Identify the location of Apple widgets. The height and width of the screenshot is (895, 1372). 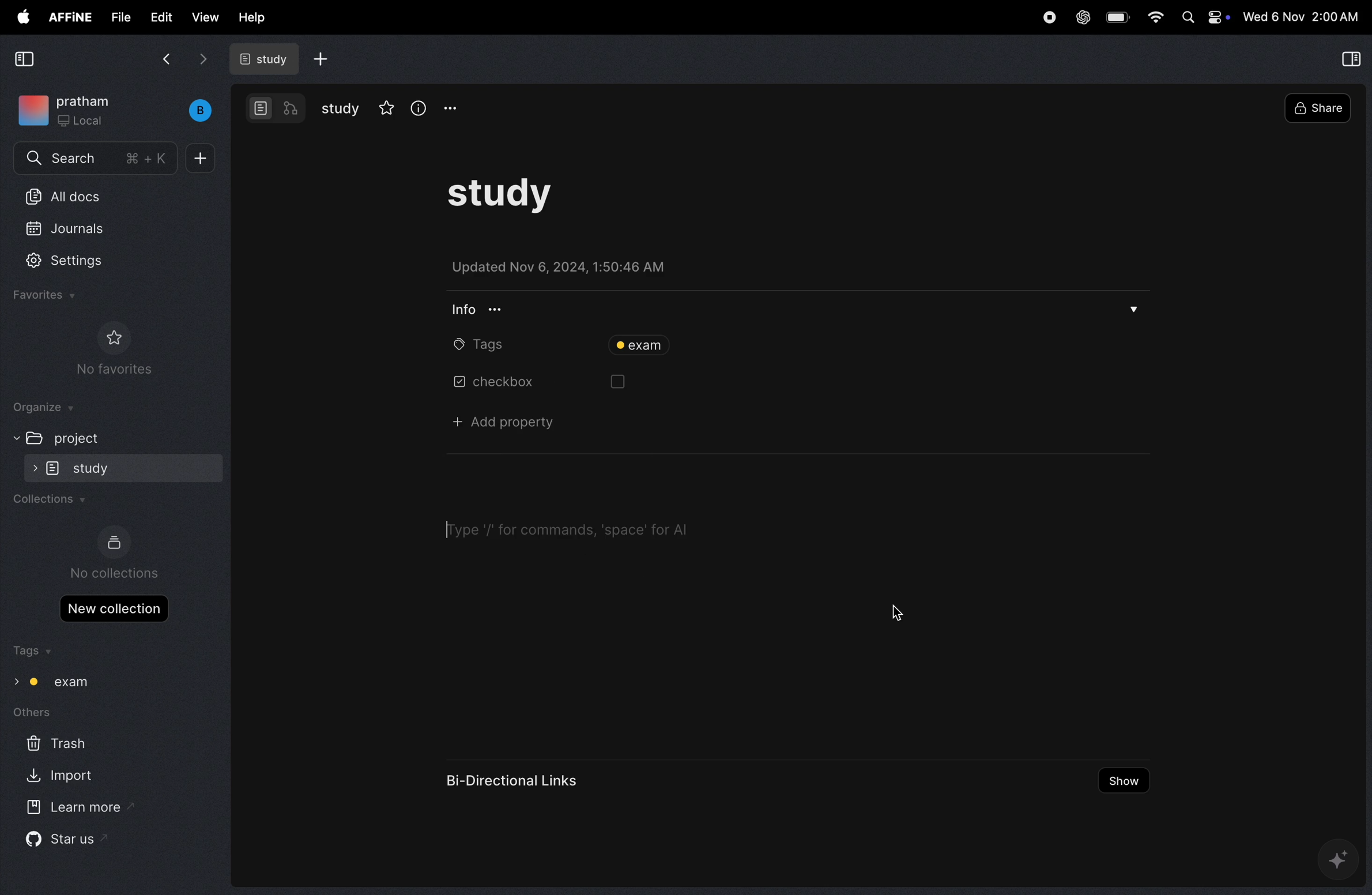
(1203, 20).